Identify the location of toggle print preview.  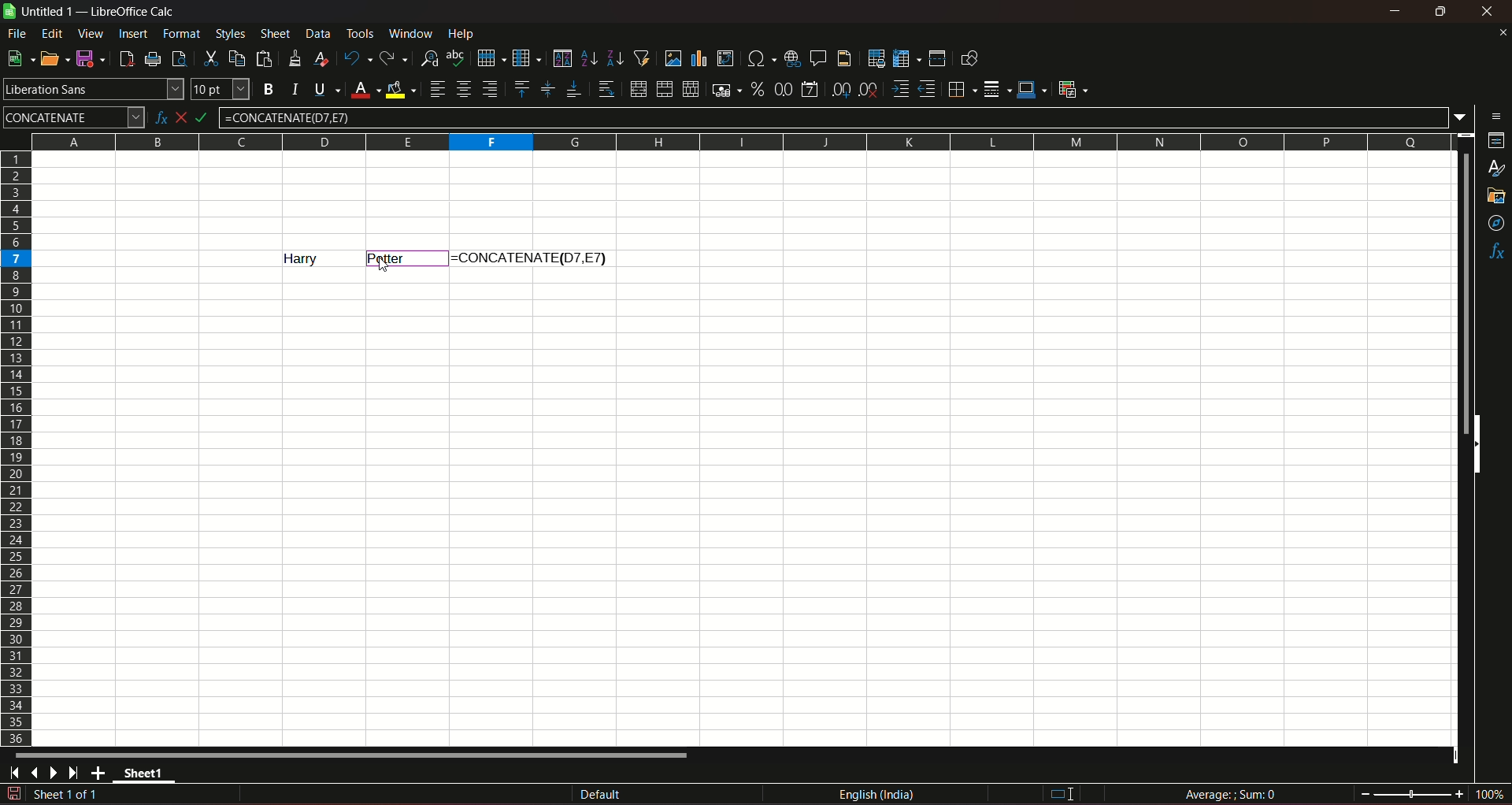
(177, 57).